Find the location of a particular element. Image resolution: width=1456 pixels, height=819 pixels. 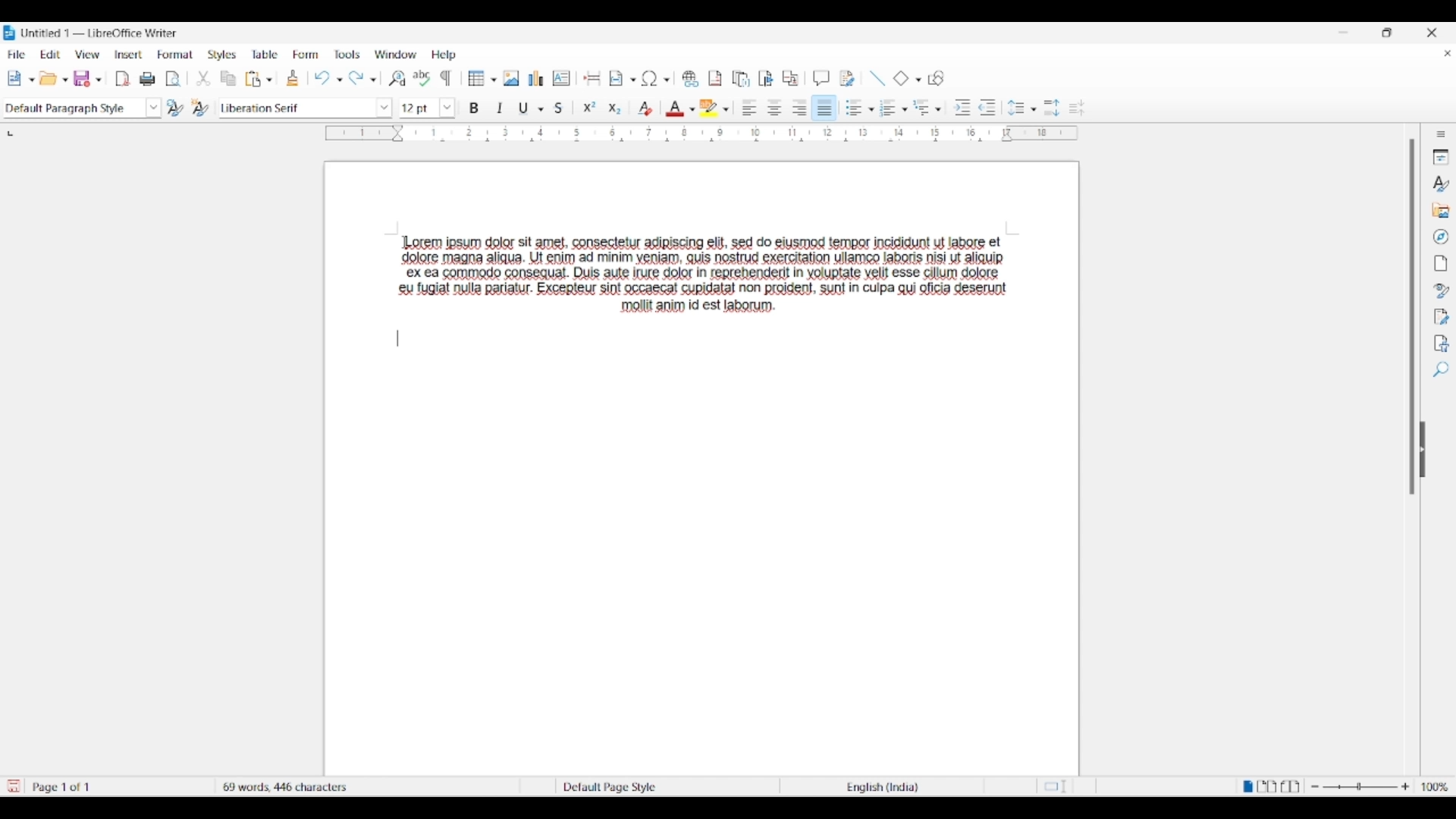

Book view is located at coordinates (1290, 786).